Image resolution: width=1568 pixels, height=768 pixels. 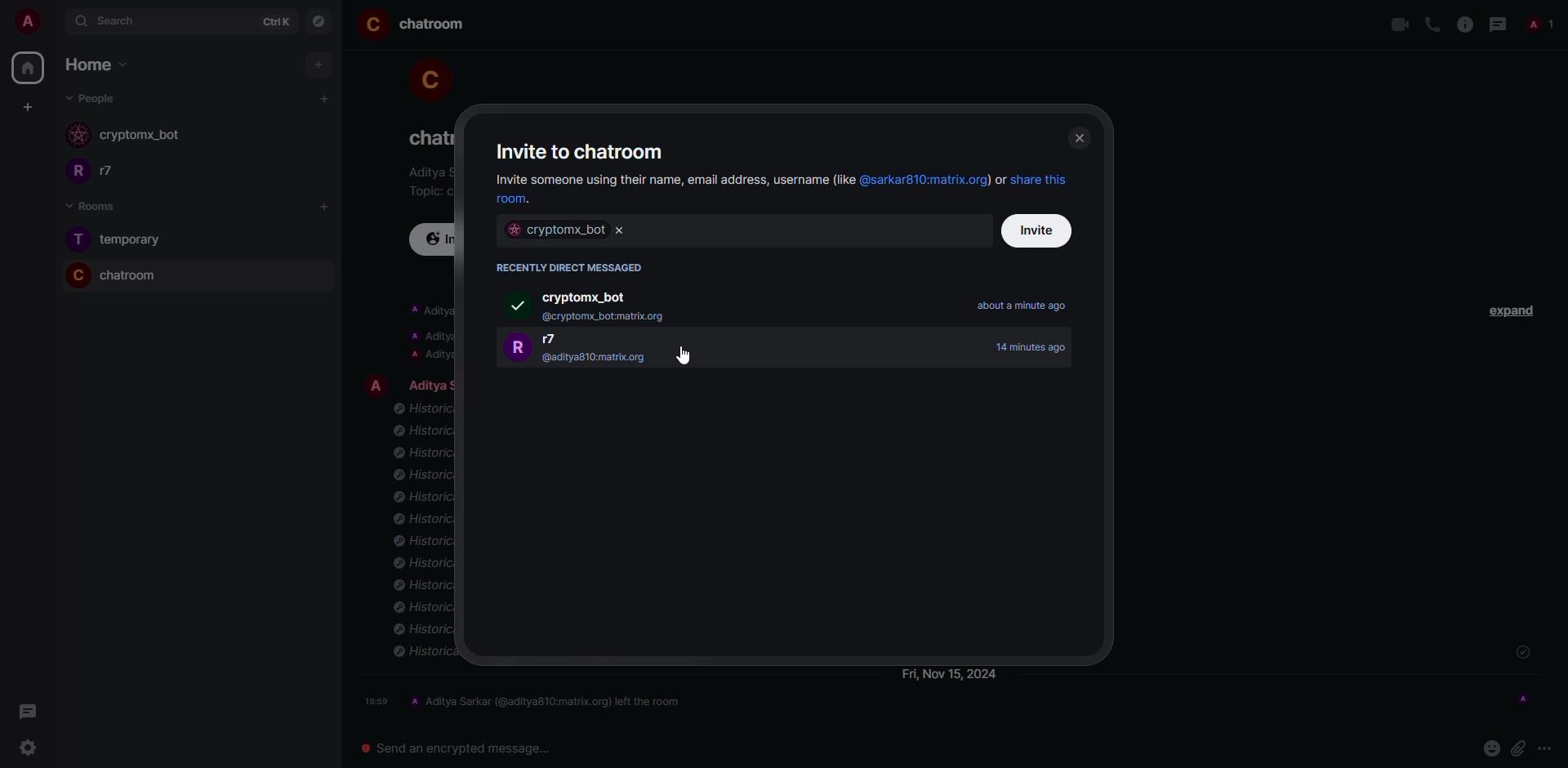 I want to click on selected, so click(x=516, y=305).